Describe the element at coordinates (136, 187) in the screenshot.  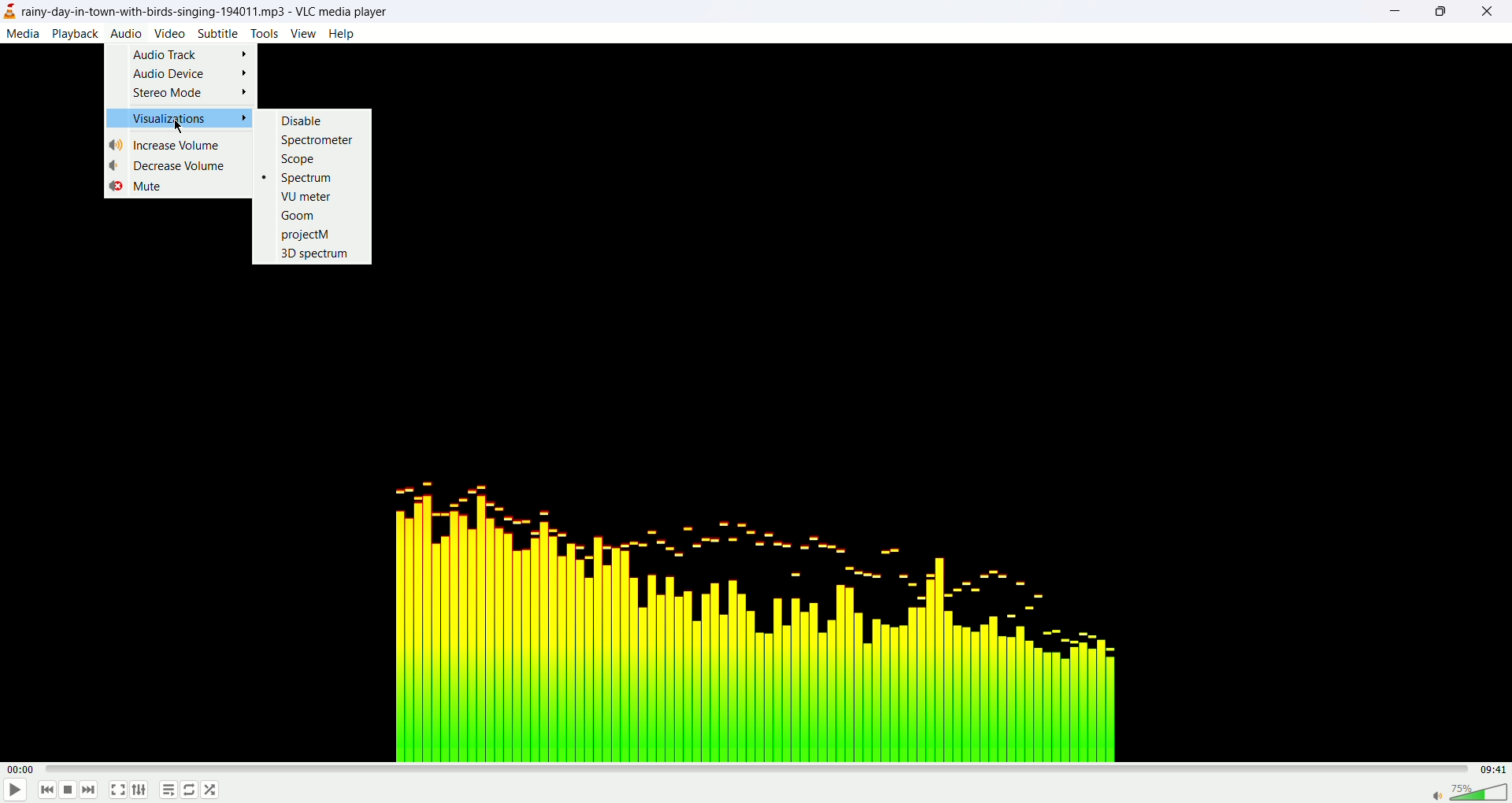
I see `mute` at that location.